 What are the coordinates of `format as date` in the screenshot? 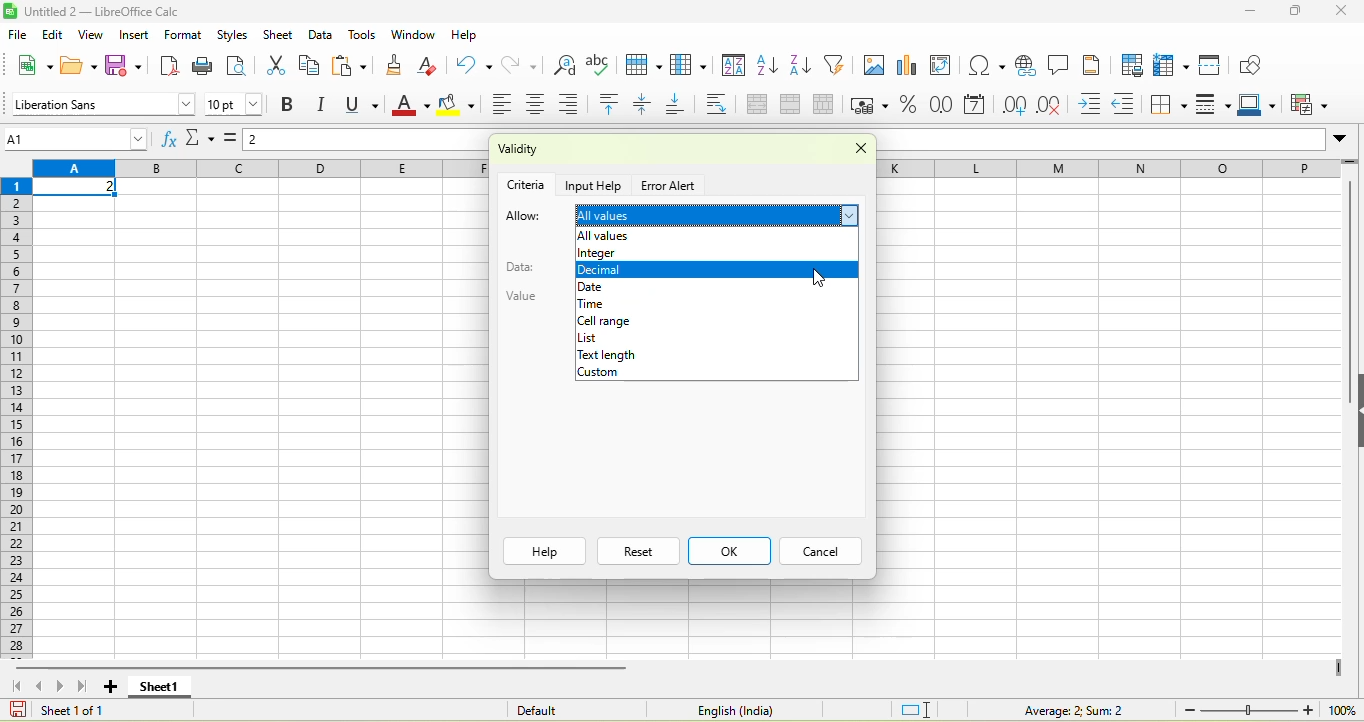 It's located at (976, 106).